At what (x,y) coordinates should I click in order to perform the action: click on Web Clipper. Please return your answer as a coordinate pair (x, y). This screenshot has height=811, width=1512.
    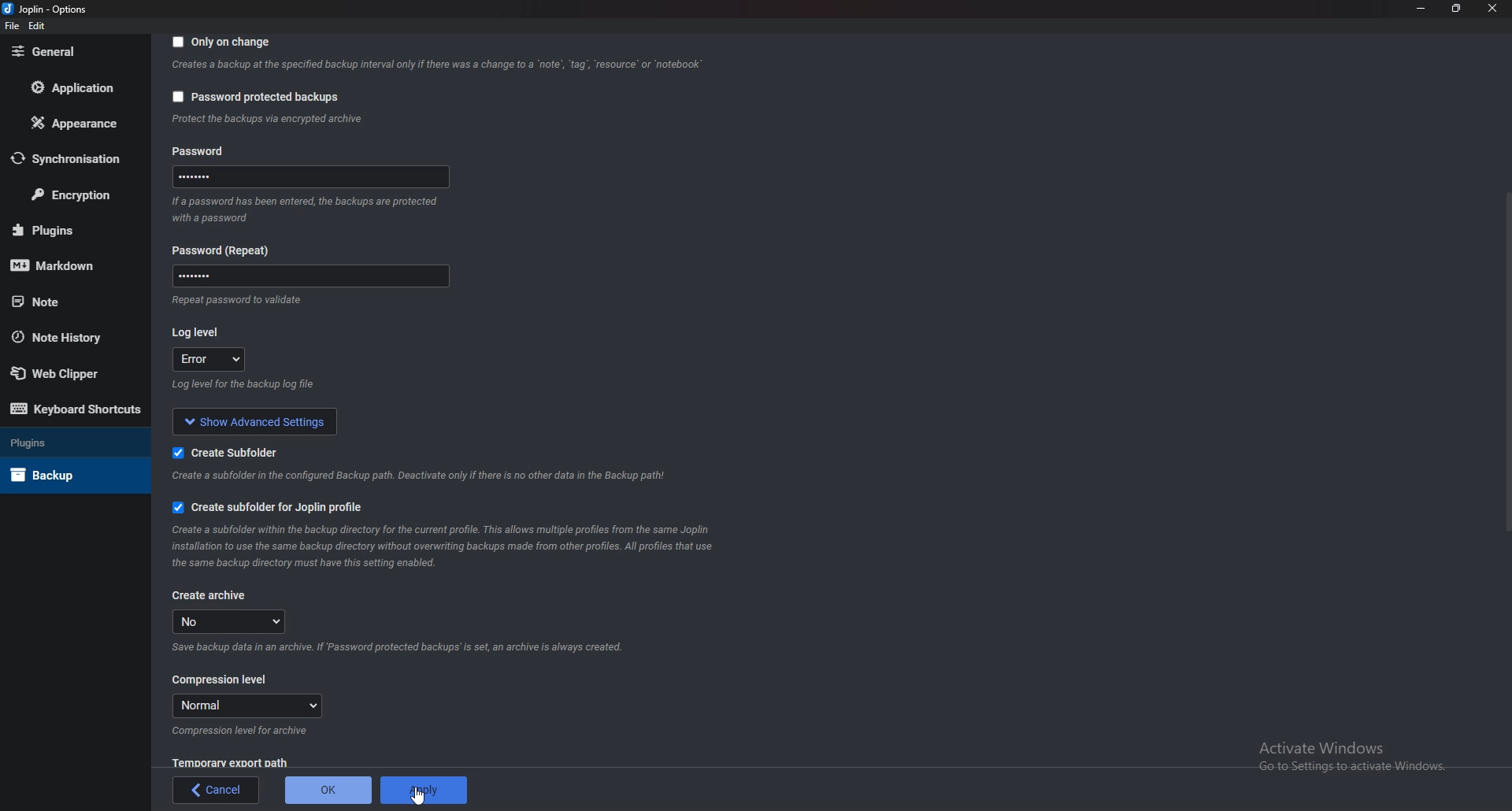
    Looking at the image, I should click on (64, 370).